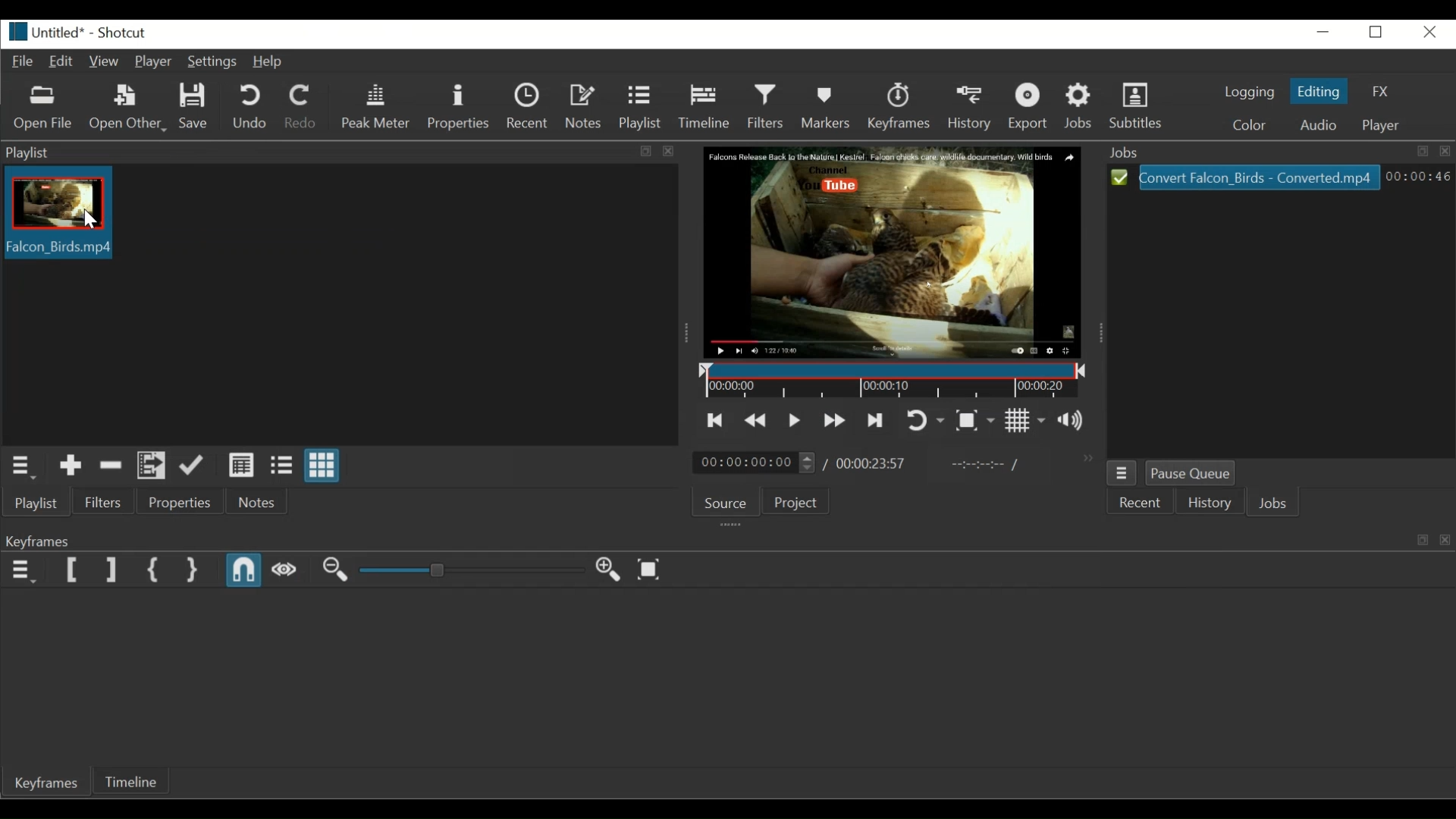 The width and height of the screenshot is (1456, 819). I want to click on History, so click(1209, 504).